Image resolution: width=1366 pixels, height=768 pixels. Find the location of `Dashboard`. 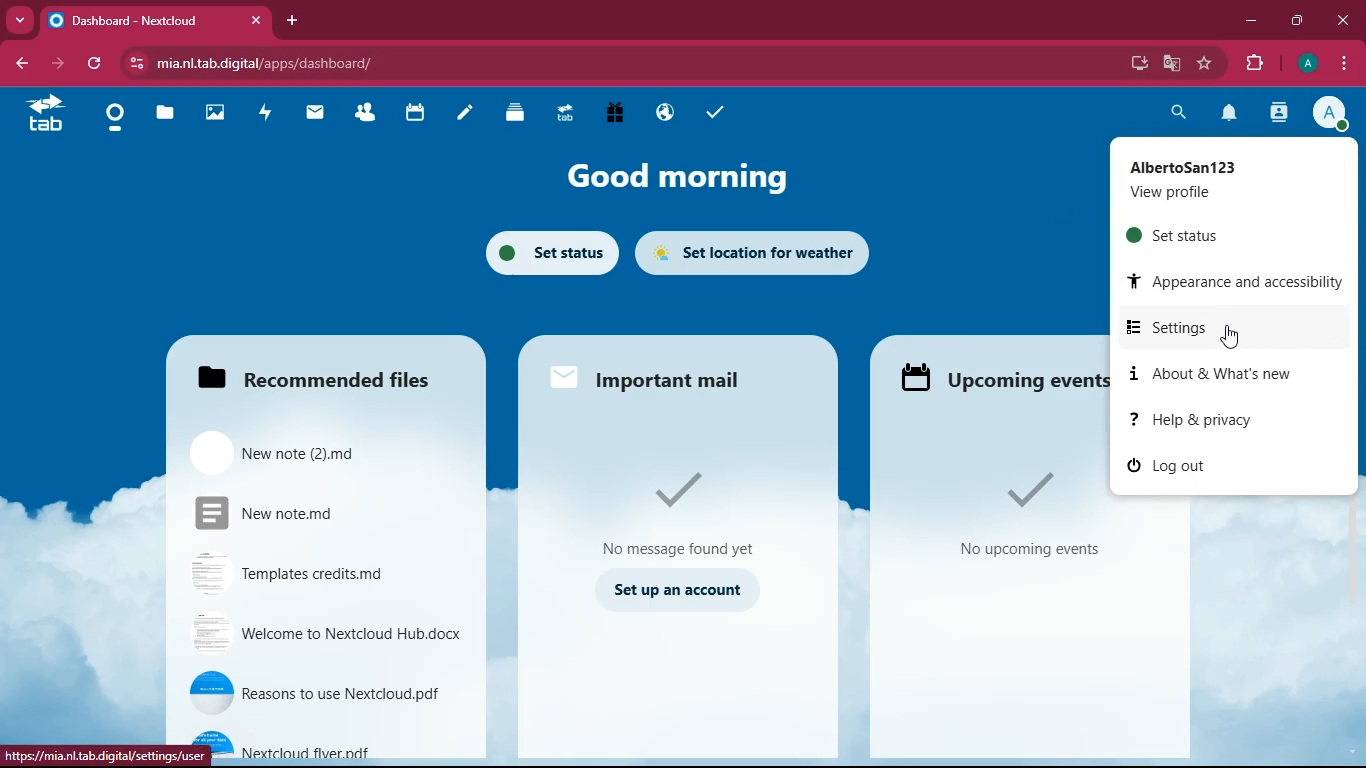

Dashboard is located at coordinates (119, 119).